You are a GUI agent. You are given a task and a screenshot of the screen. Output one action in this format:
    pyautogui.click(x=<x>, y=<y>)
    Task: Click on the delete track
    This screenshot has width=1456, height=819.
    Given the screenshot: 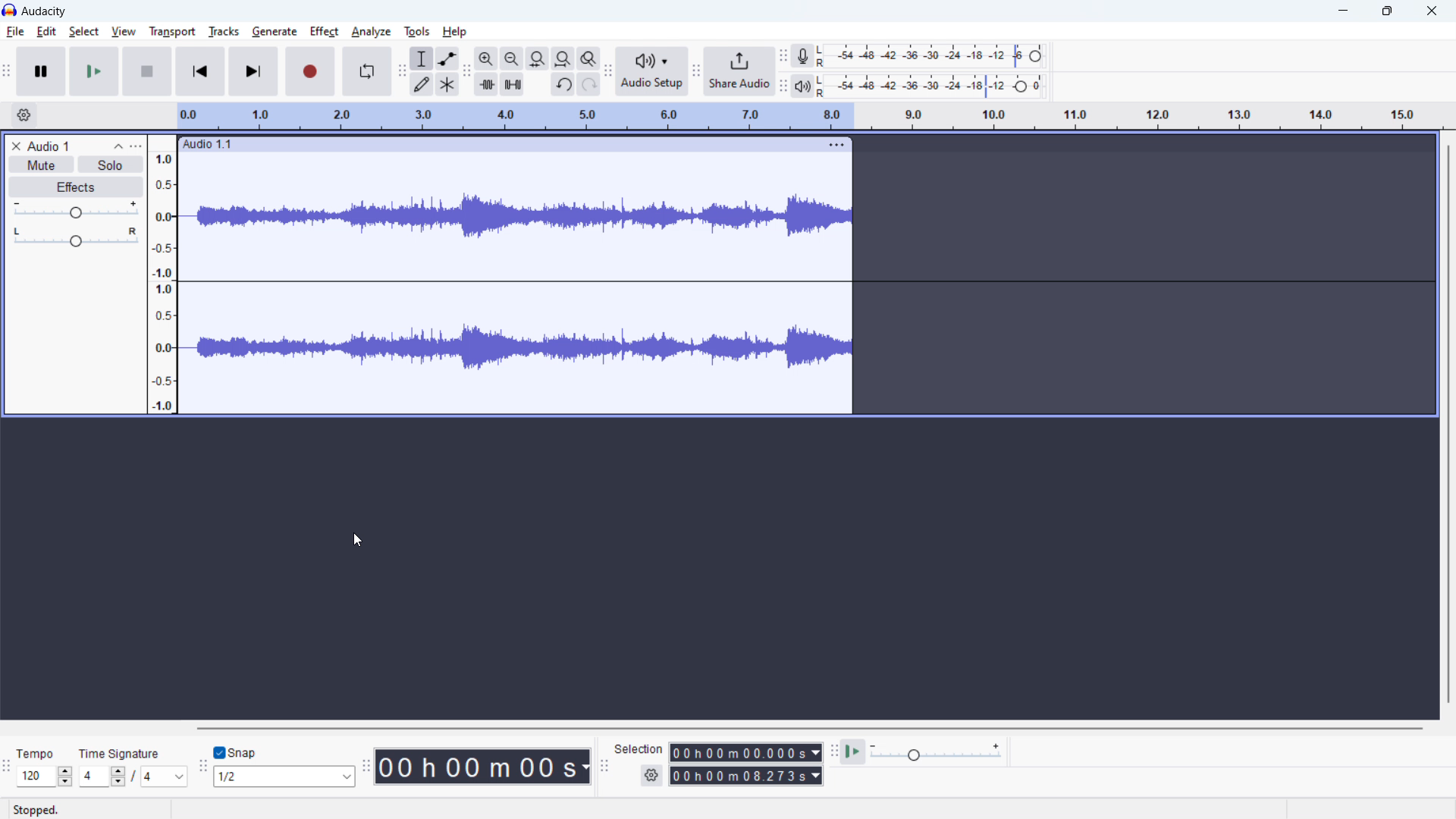 What is the action you would take?
    pyautogui.click(x=14, y=145)
    